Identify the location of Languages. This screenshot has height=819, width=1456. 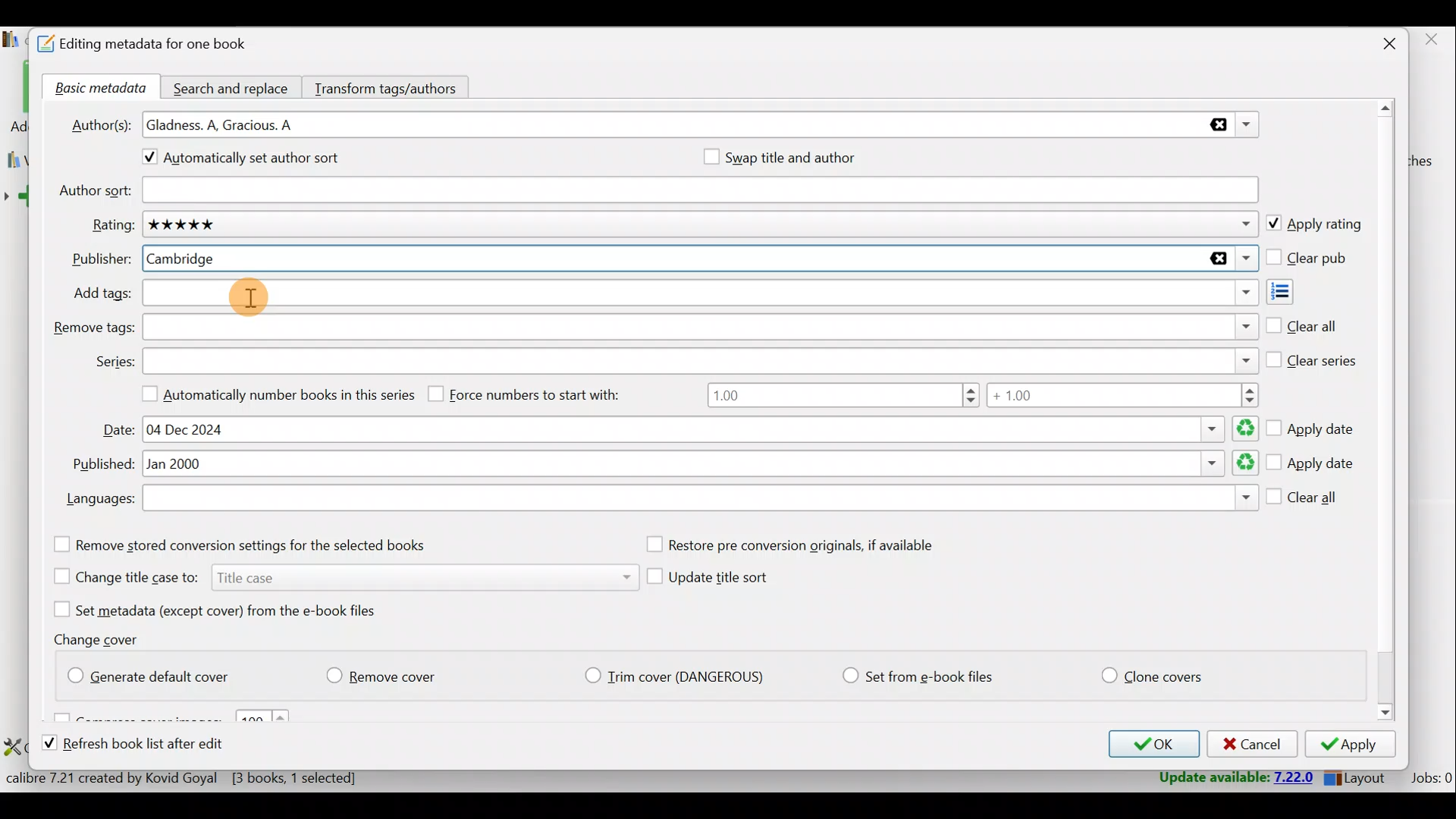
(700, 500).